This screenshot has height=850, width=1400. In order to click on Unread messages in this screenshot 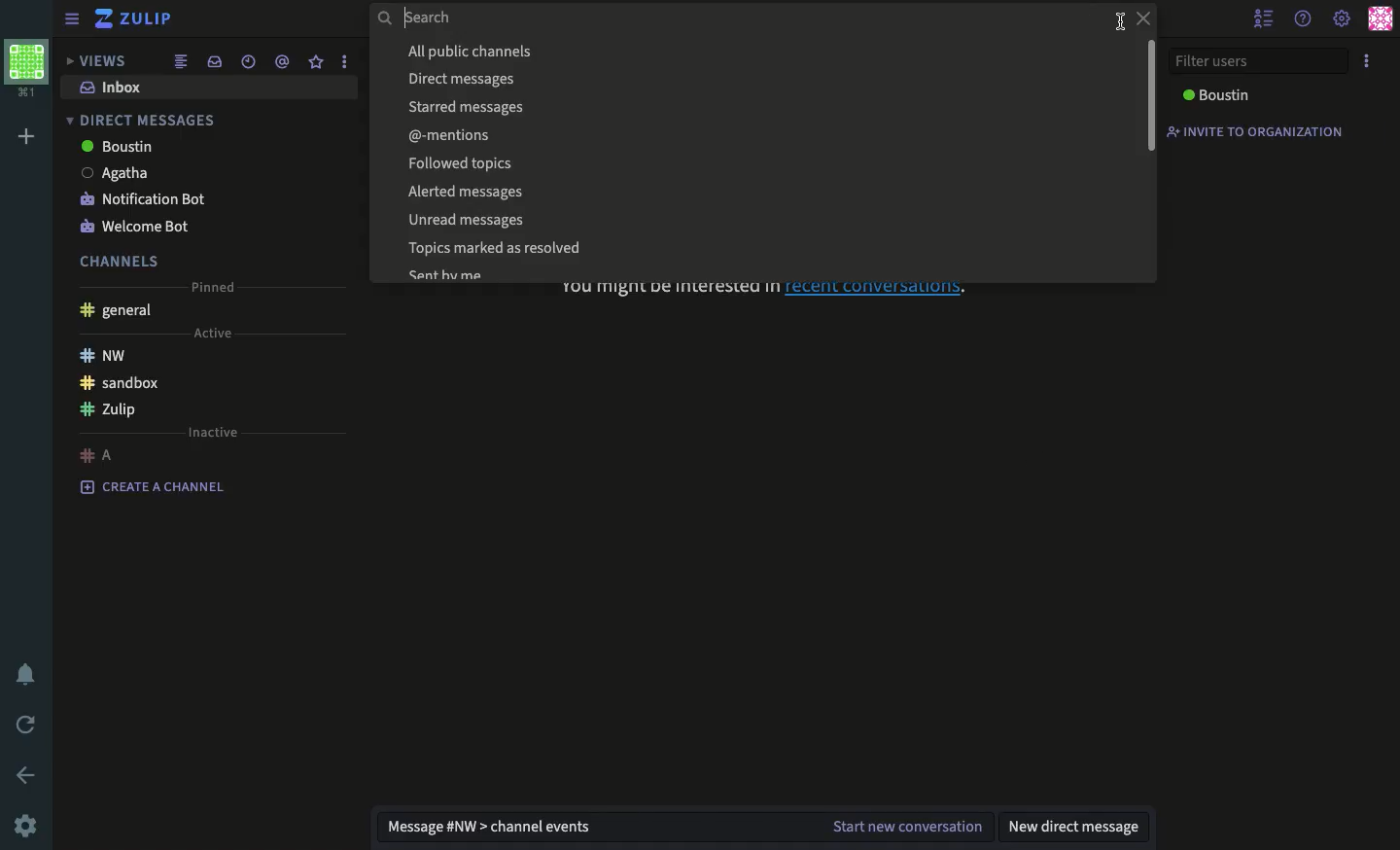, I will do `click(466, 221)`.